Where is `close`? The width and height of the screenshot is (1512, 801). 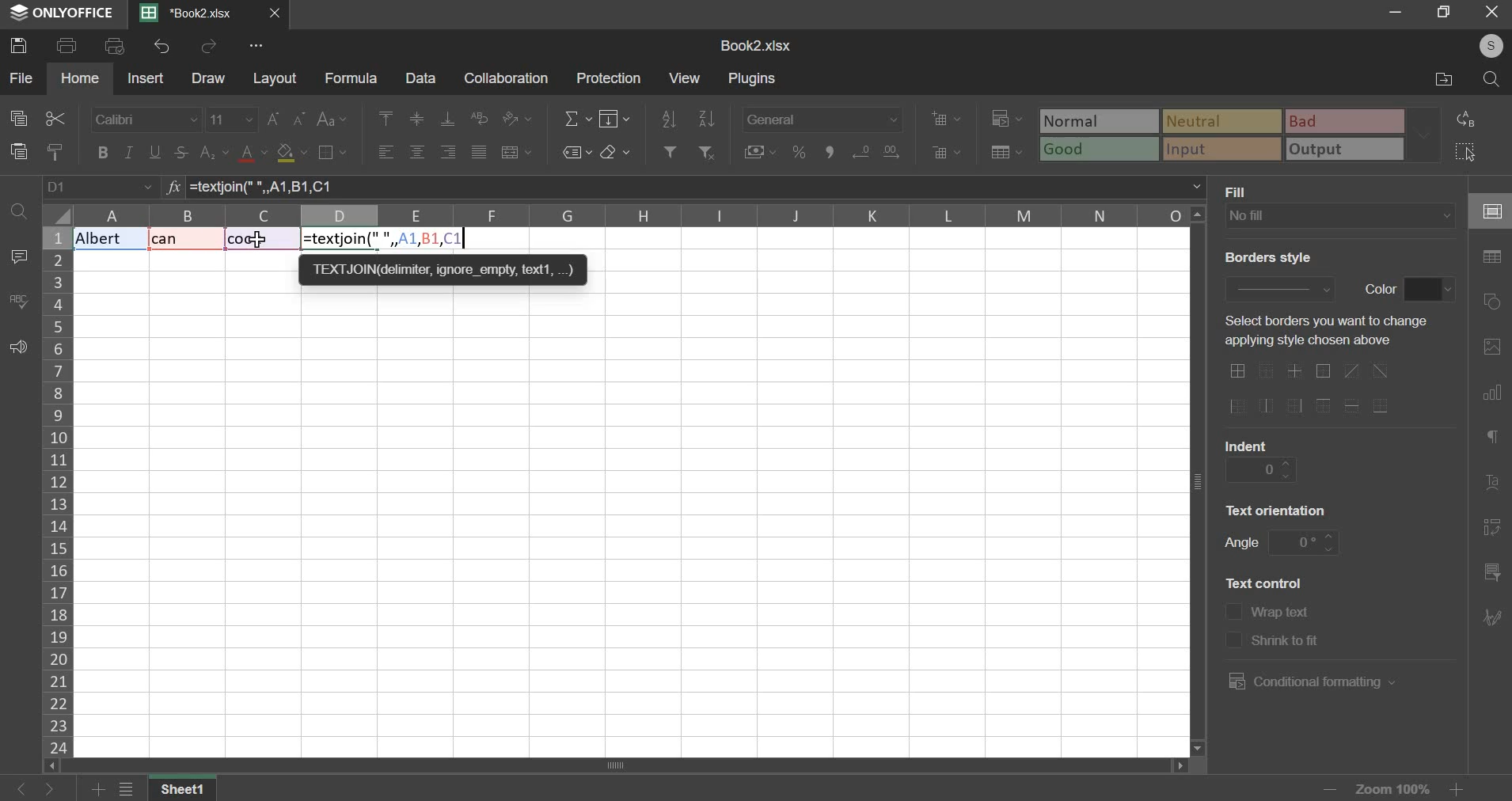
close is located at coordinates (279, 15).